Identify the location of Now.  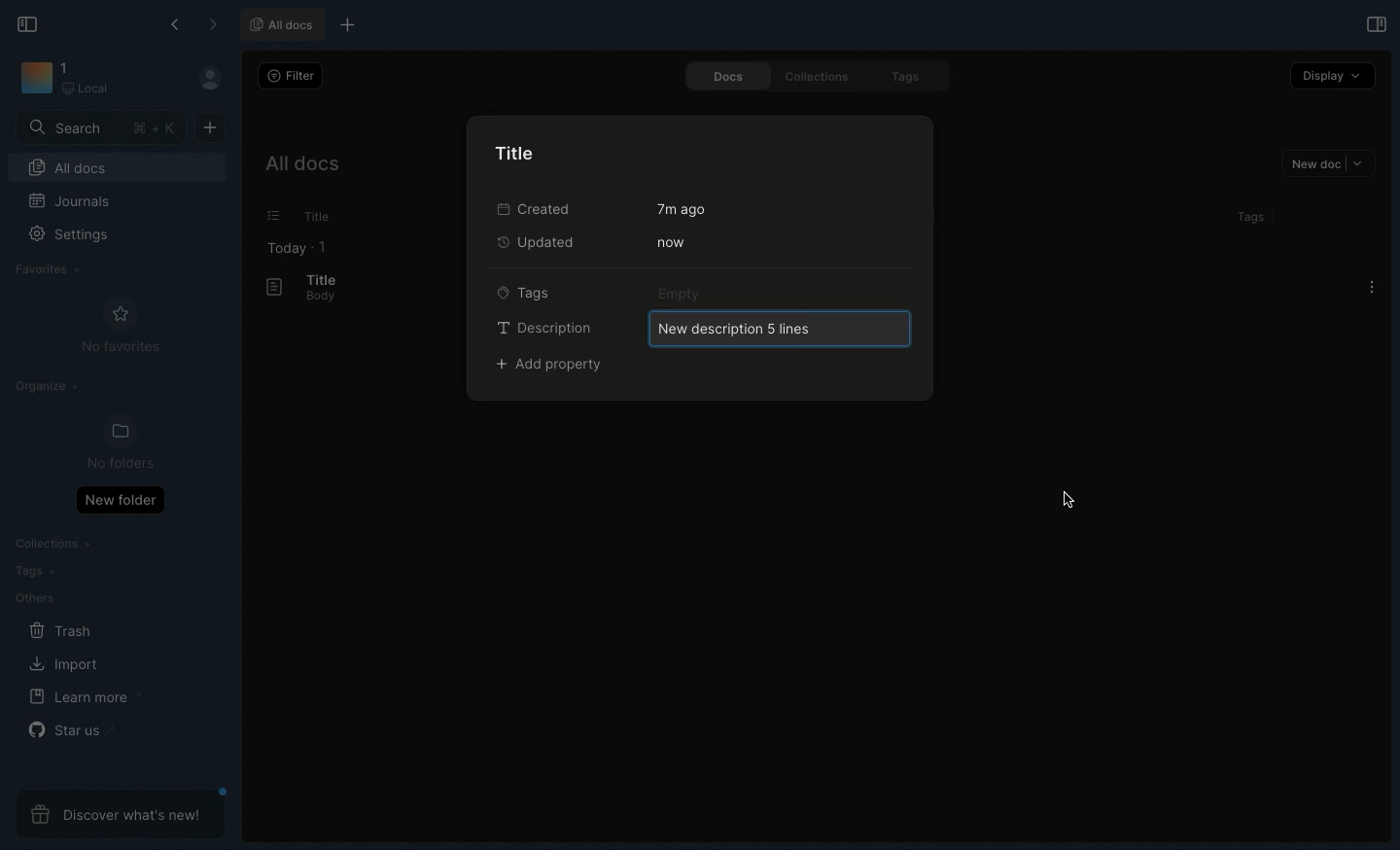
(669, 242).